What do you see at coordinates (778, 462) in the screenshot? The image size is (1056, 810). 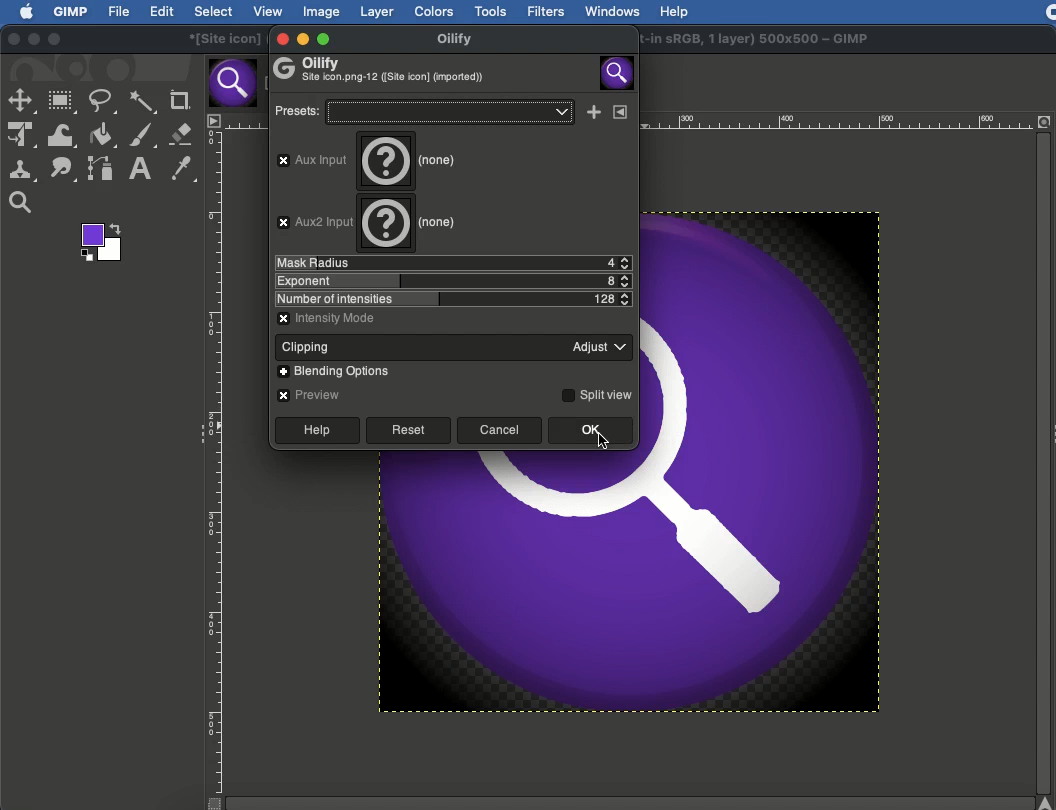 I see `Image` at bounding box center [778, 462].